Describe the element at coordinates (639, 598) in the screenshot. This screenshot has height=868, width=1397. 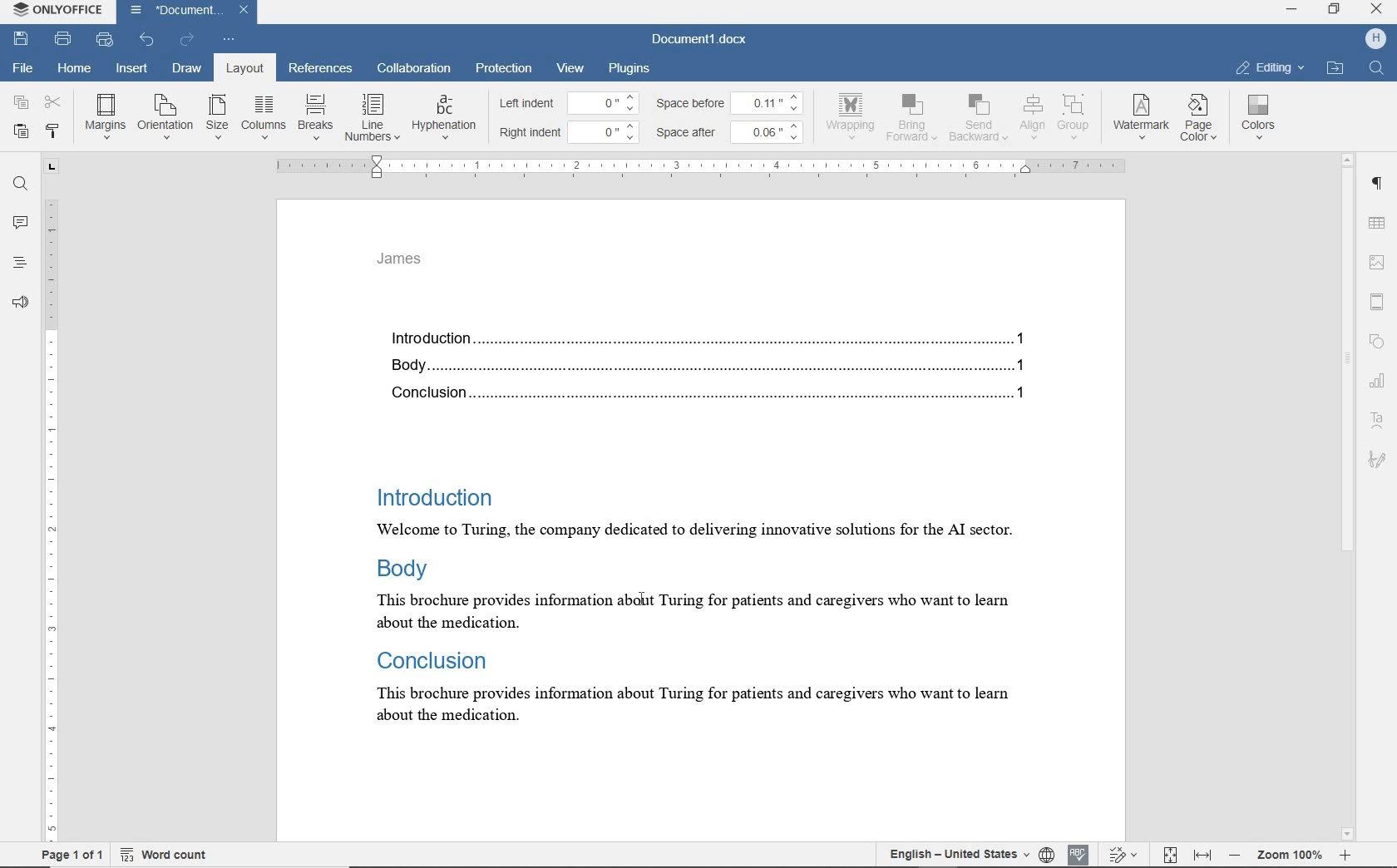
I see `text cursor` at that location.